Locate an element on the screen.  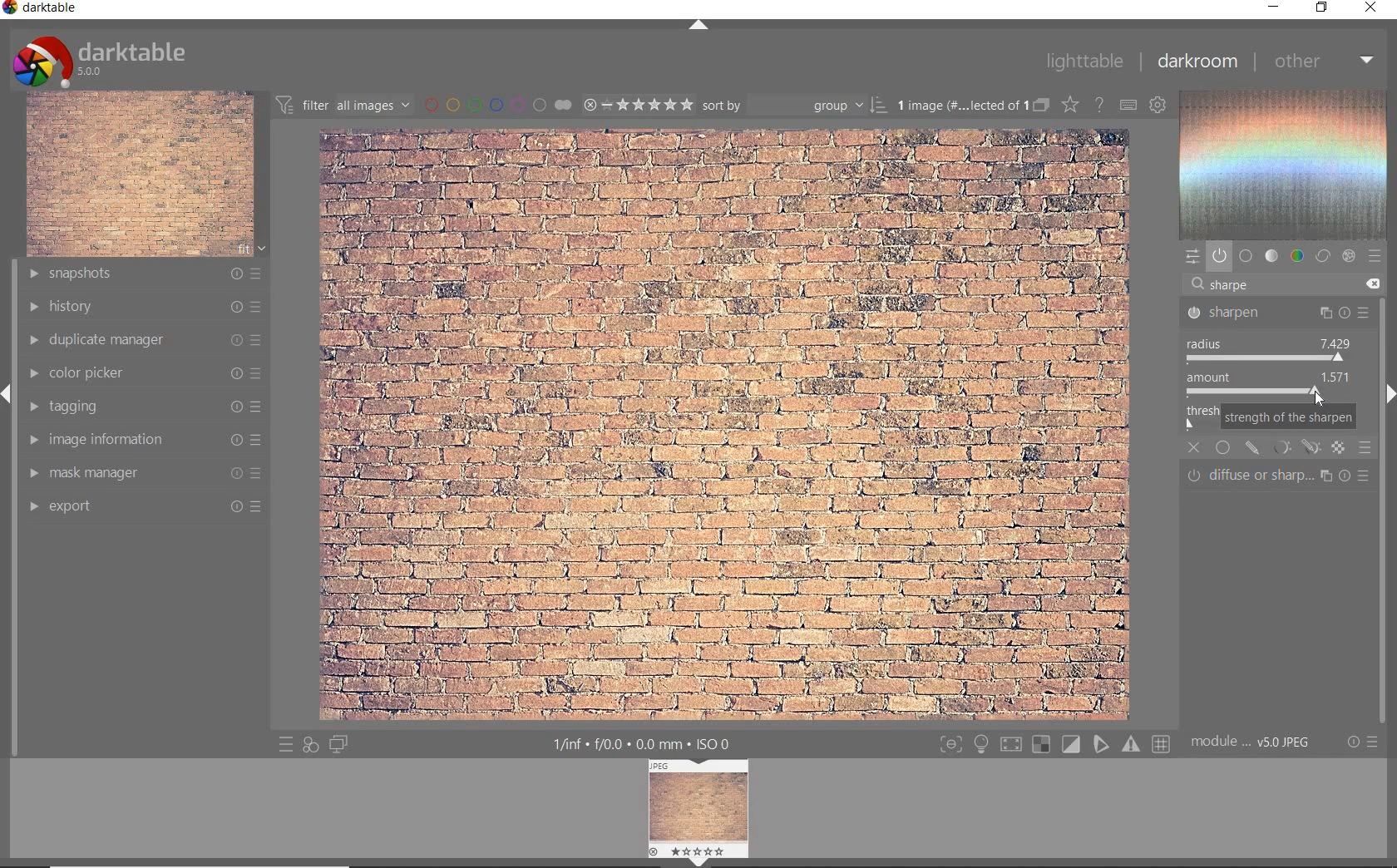
darktable 5.0.0 is located at coordinates (102, 60).